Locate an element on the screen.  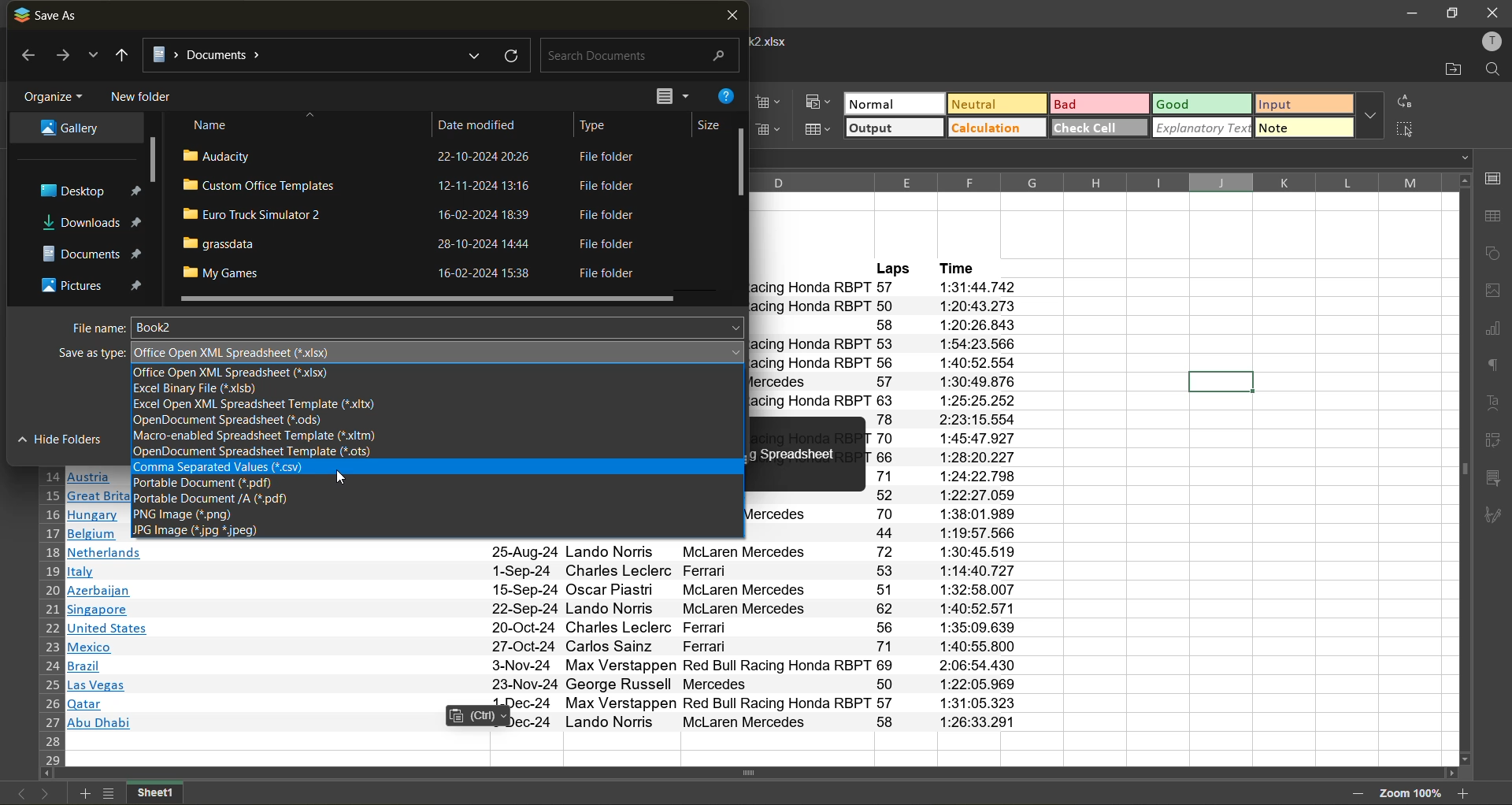
zoom factor is located at coordinates (1410, 792).